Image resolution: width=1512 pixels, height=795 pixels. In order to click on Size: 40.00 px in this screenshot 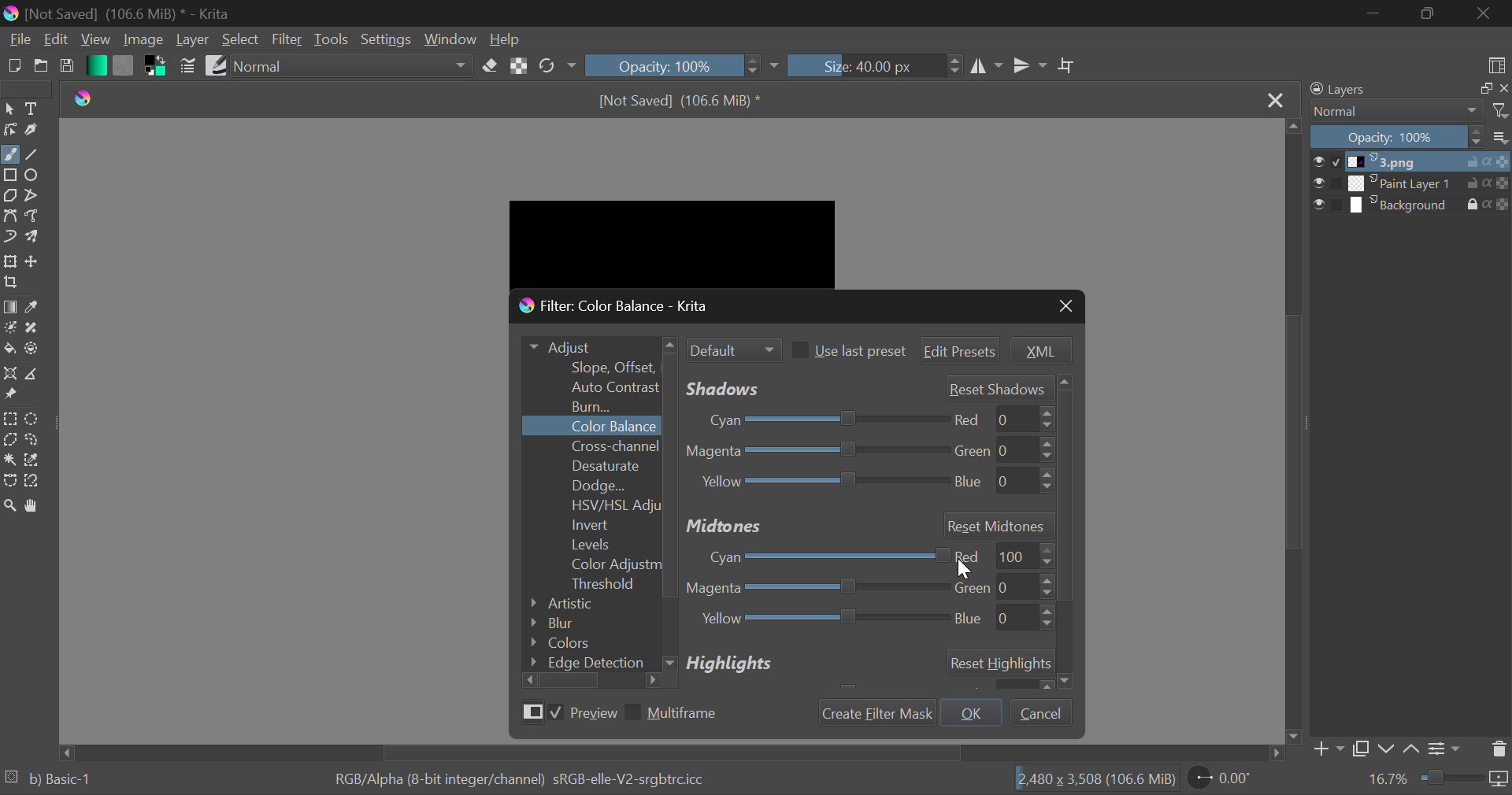, I will do `click(877, 66)`.